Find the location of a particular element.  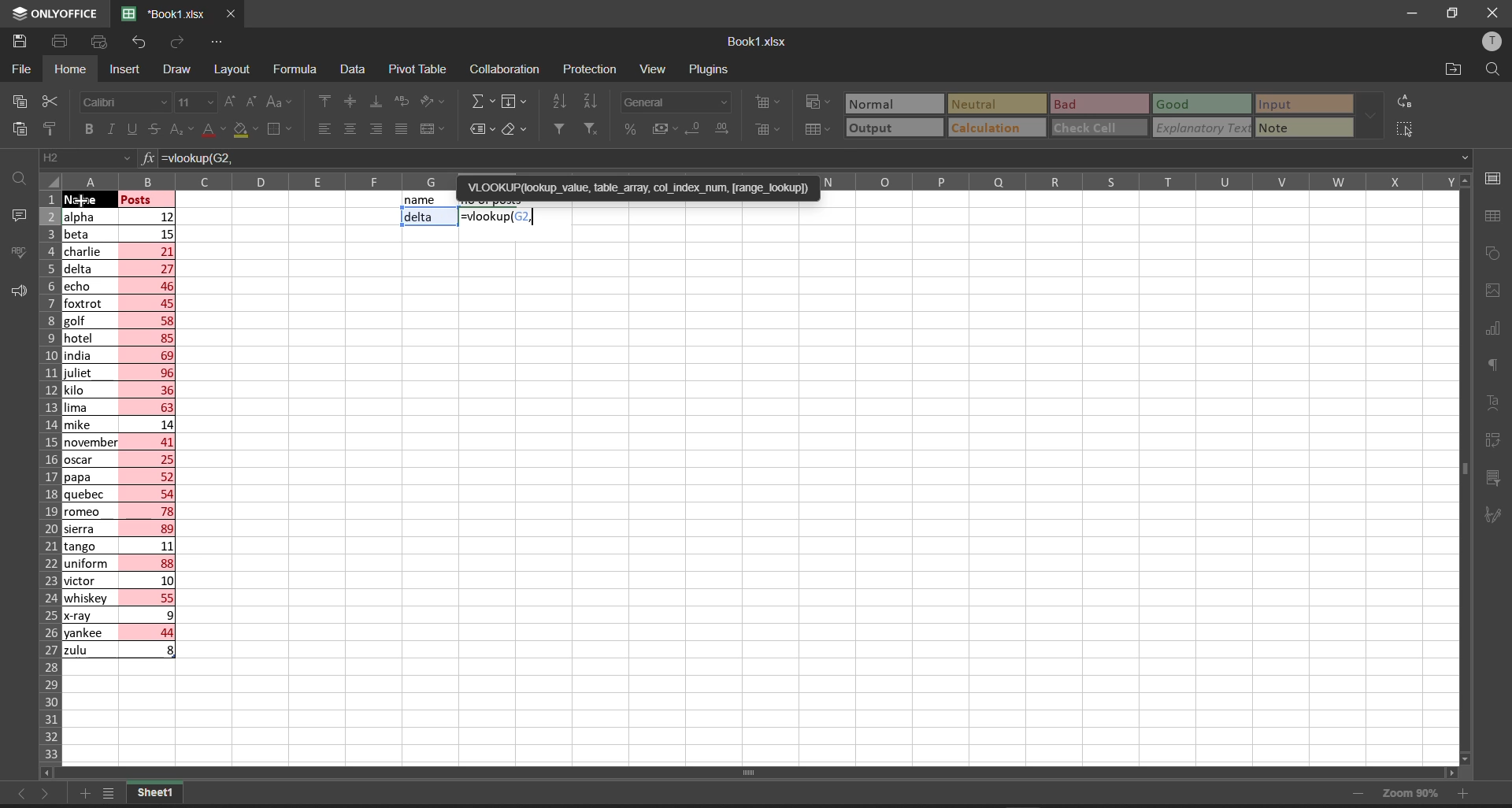

quick print is located at coordinates (98, 40).